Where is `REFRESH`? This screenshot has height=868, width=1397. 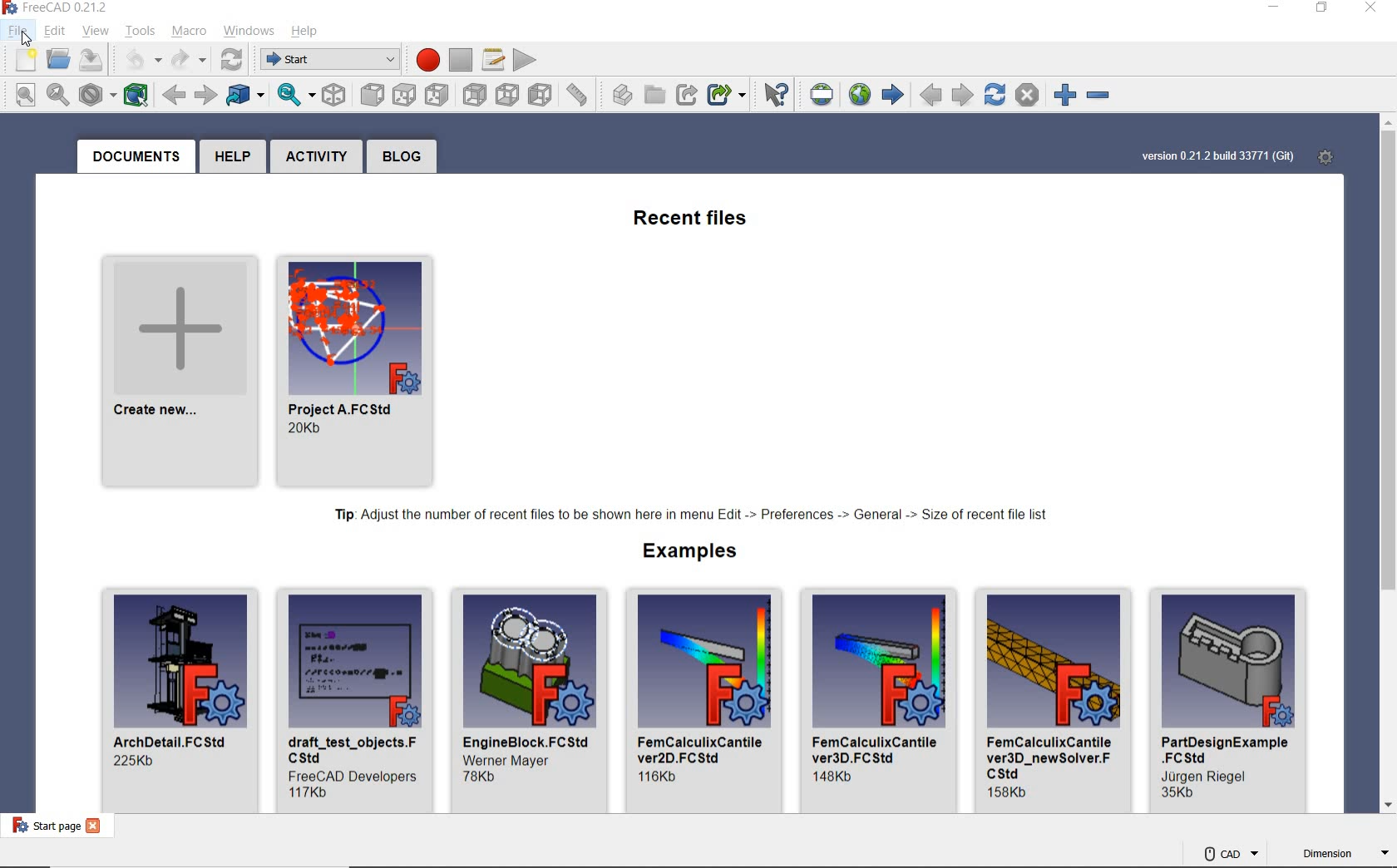
REFRESH is located at coordinates (233, 61).